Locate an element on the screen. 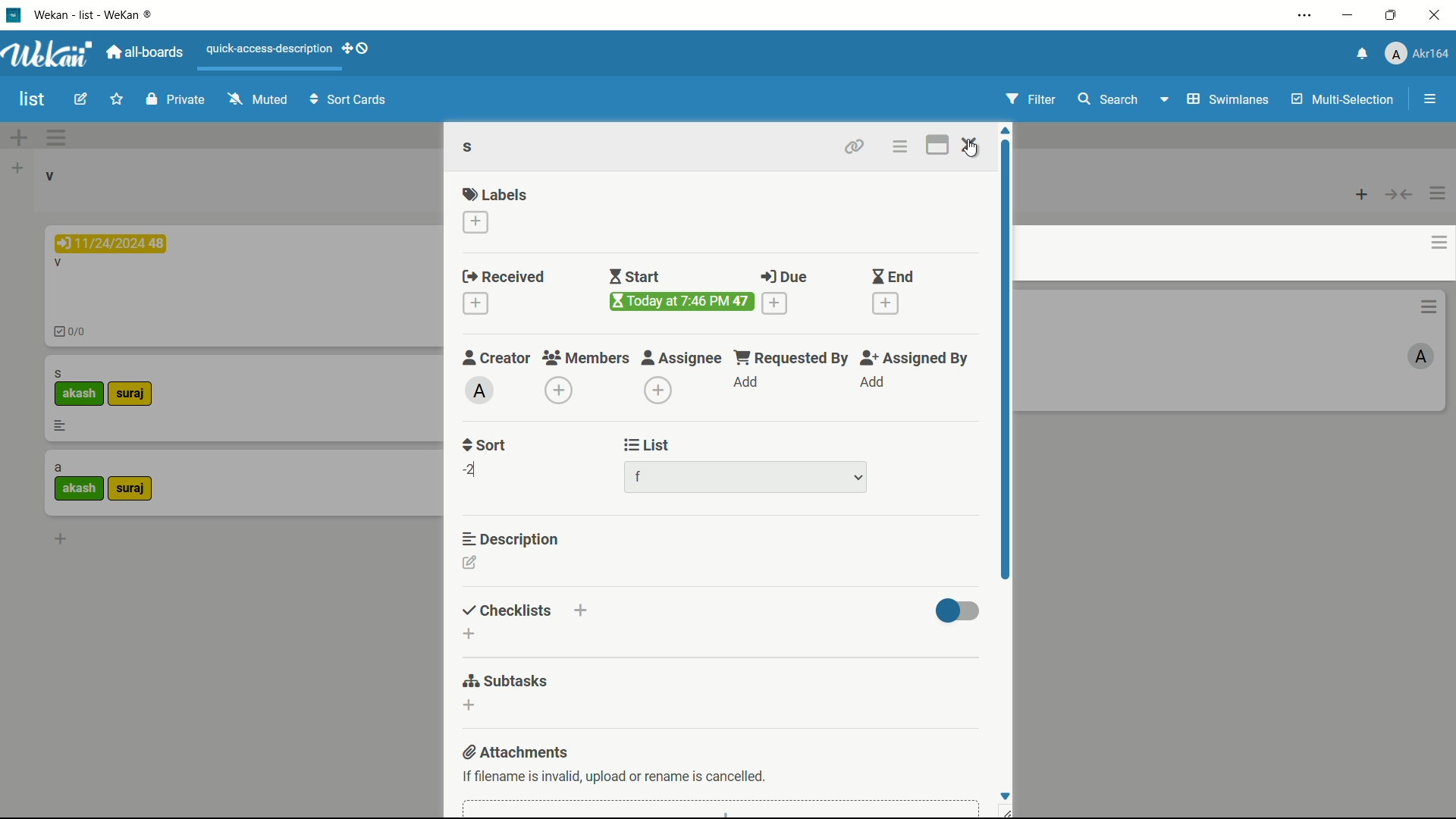 Image resolution: width=1456 pixels, height=819 pixels. received is located at coordinates (507, 278).